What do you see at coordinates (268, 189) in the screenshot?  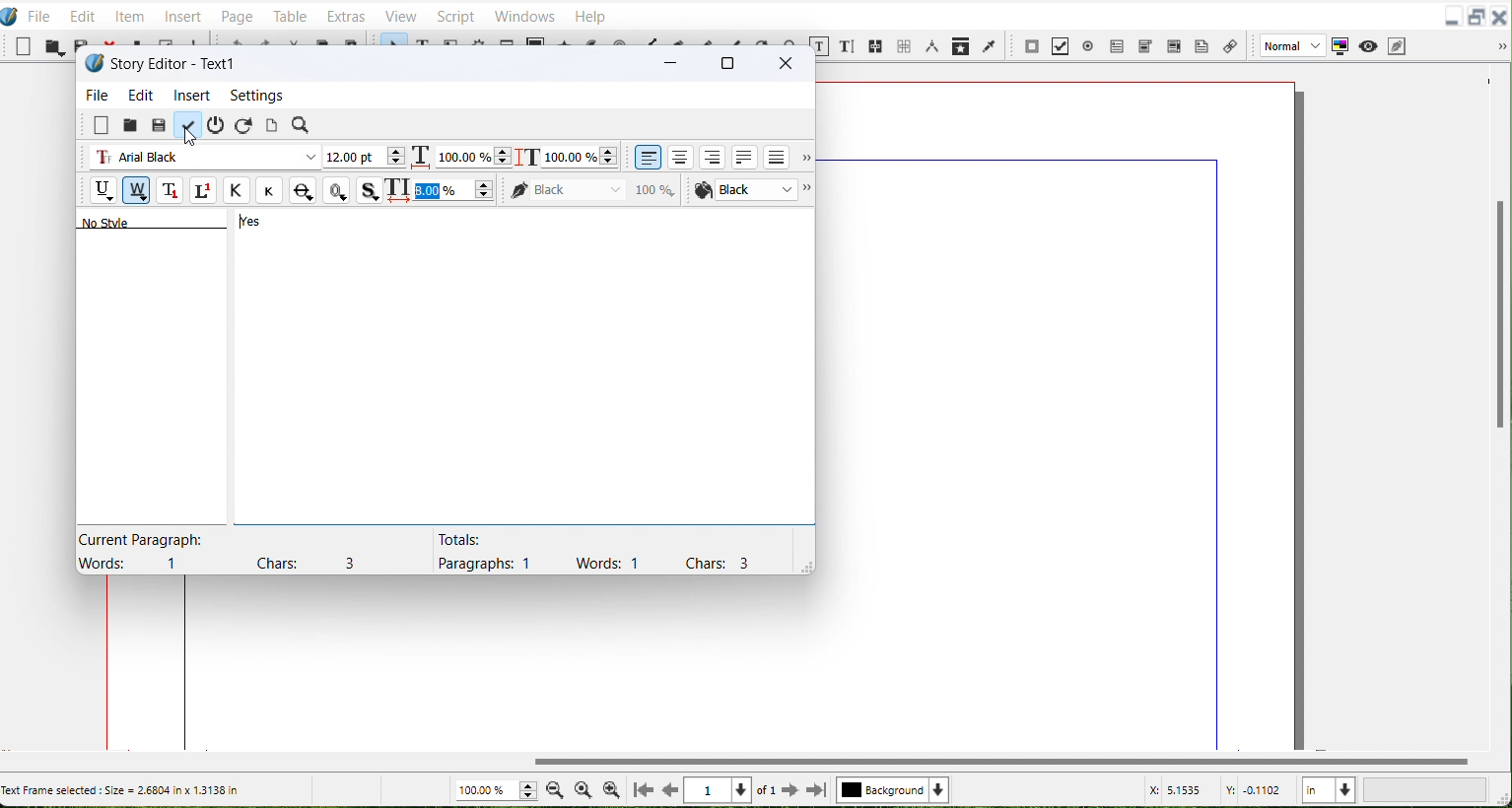 I see `Small caps` at bounding box center [268, 189].